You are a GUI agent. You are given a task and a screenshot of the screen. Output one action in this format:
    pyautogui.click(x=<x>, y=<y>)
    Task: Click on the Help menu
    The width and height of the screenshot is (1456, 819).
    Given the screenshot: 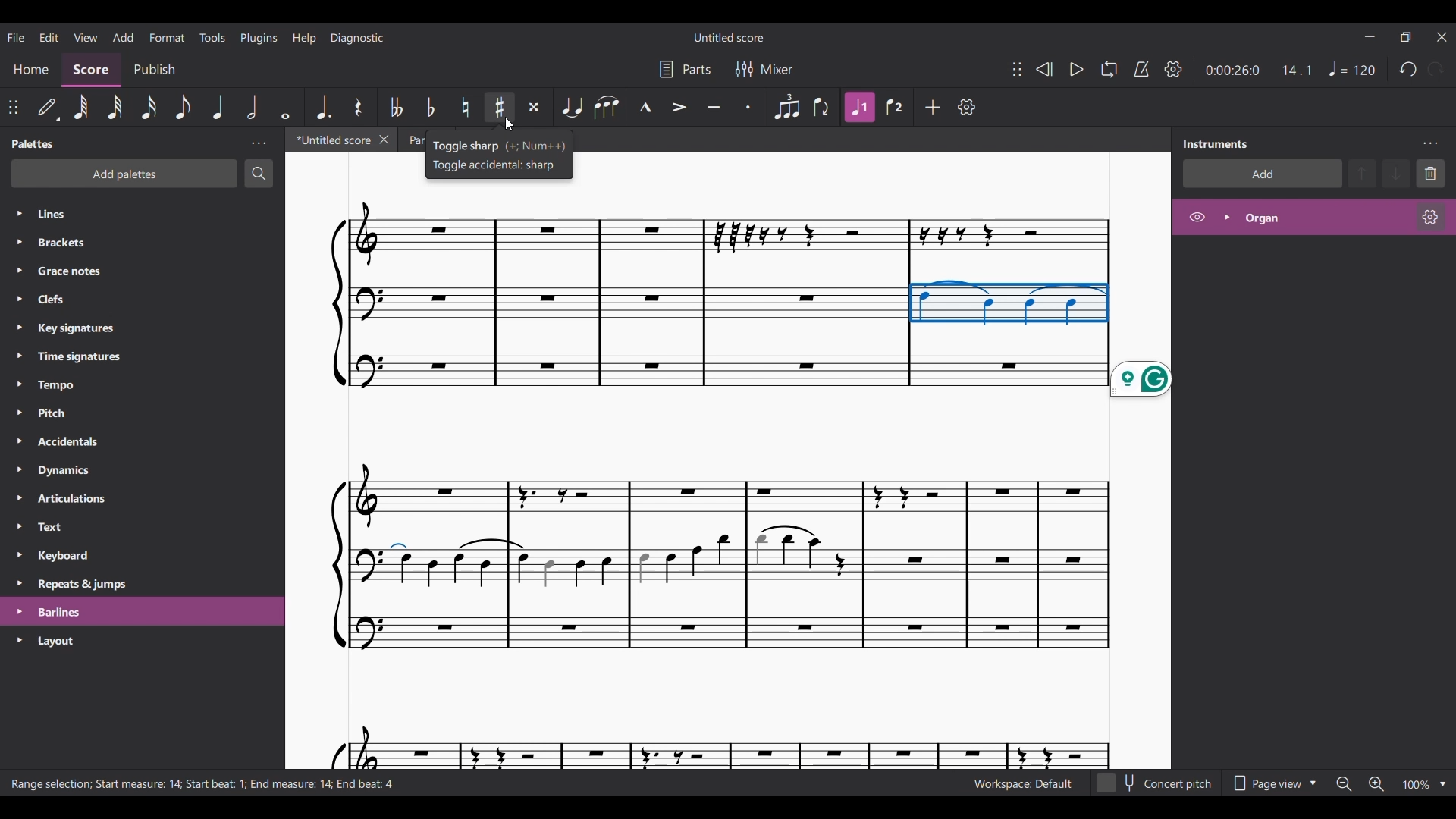 What is the action you would take?
    pyautogui.click(x=304, y=38)
    